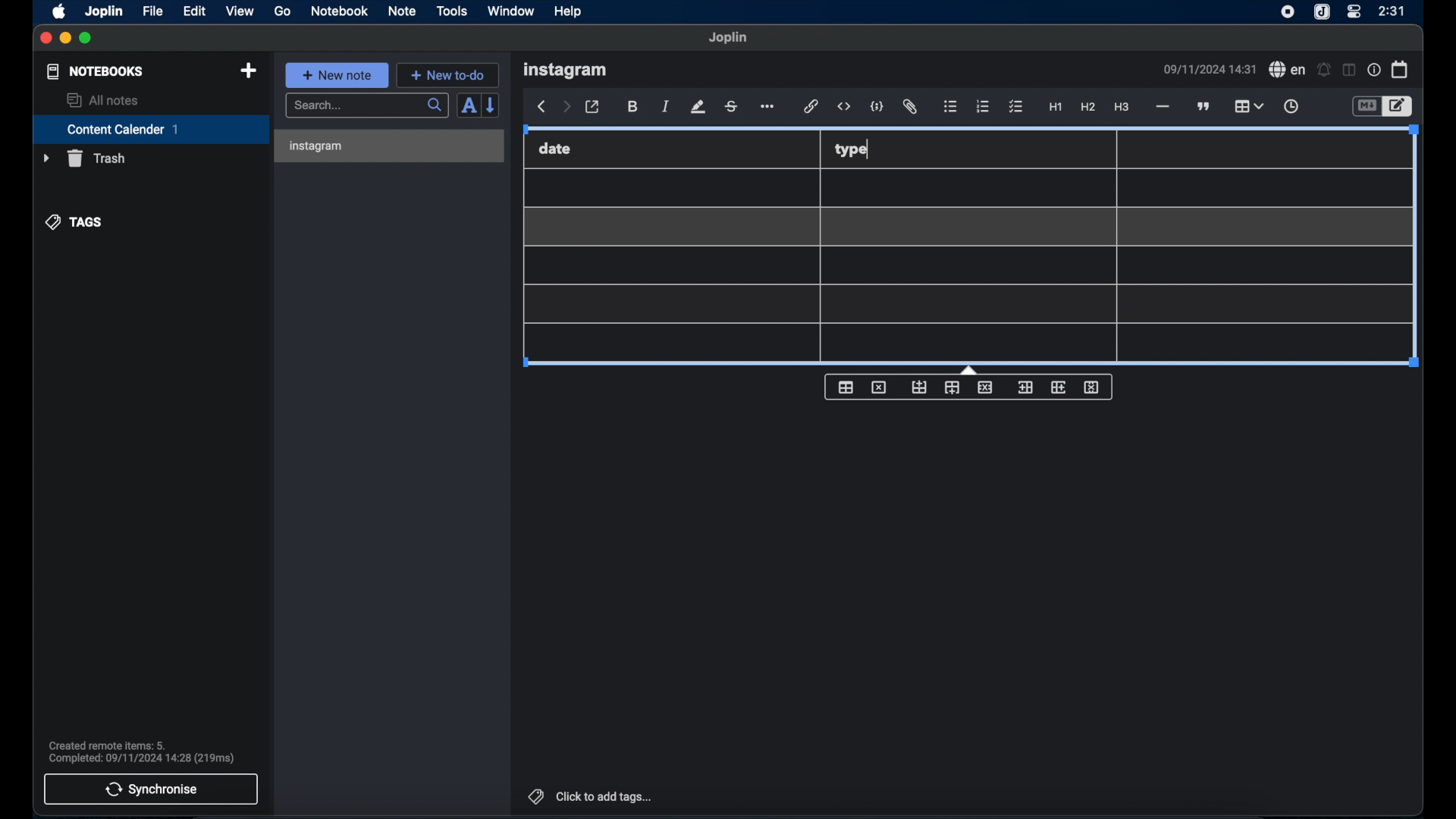  What do you see at coordinates (591, 796) in the screenshot?
I see `click to add tags` at bounding box center [591, 796].